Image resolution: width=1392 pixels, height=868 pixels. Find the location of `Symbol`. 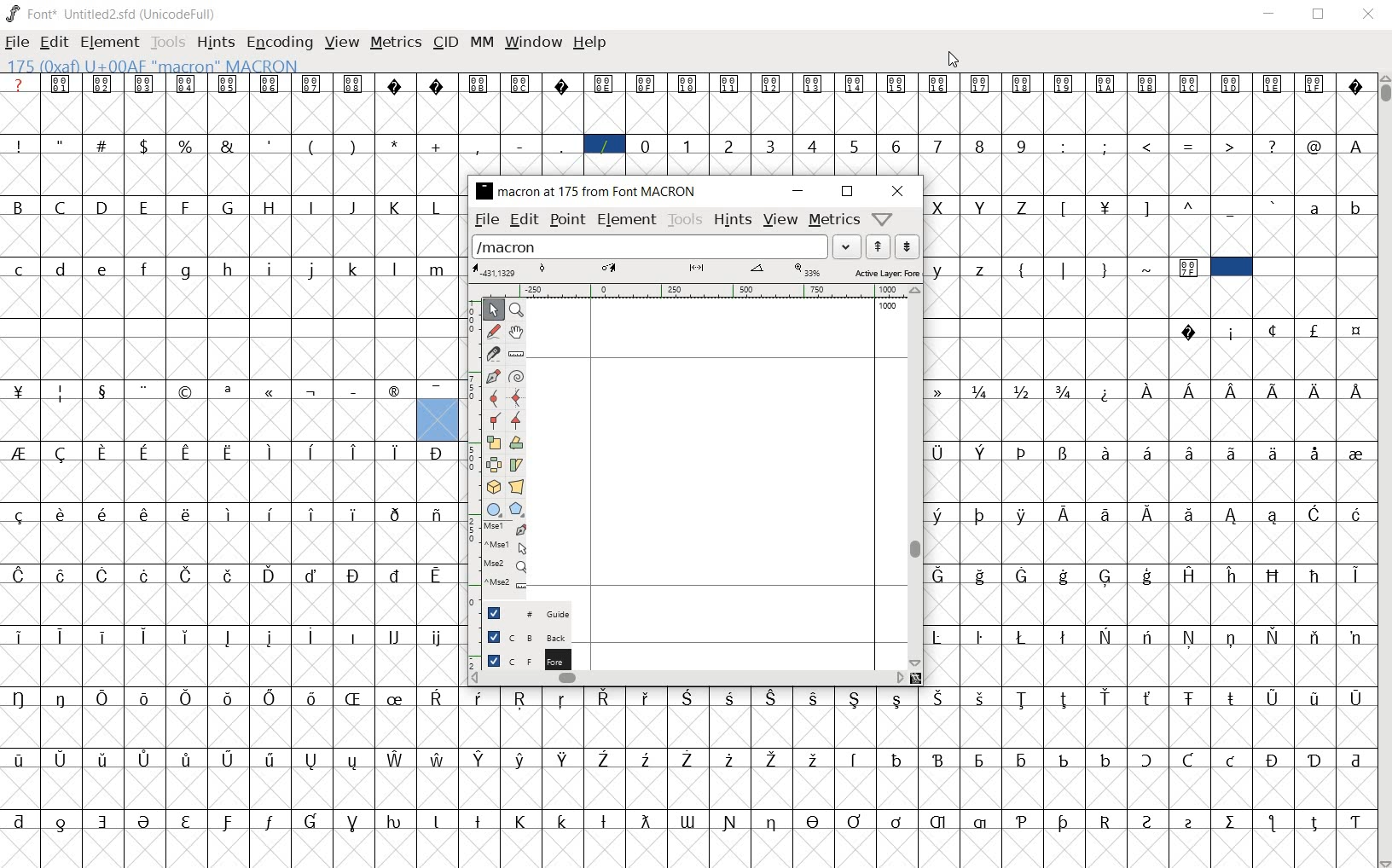

Symbol is located at coordinates (272, 759).